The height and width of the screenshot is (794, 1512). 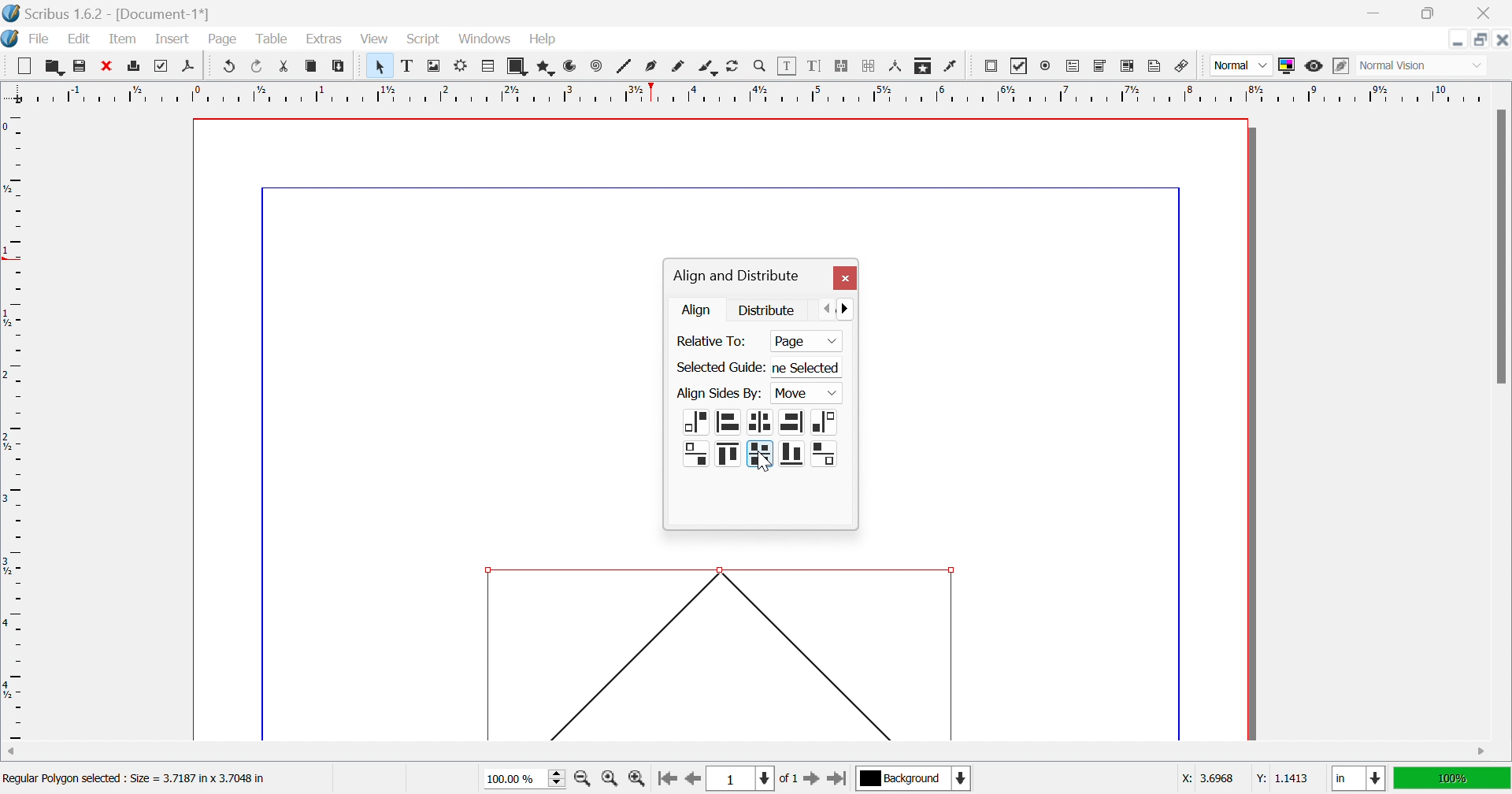 I want to click on Close, so click(x=1488, y=13).